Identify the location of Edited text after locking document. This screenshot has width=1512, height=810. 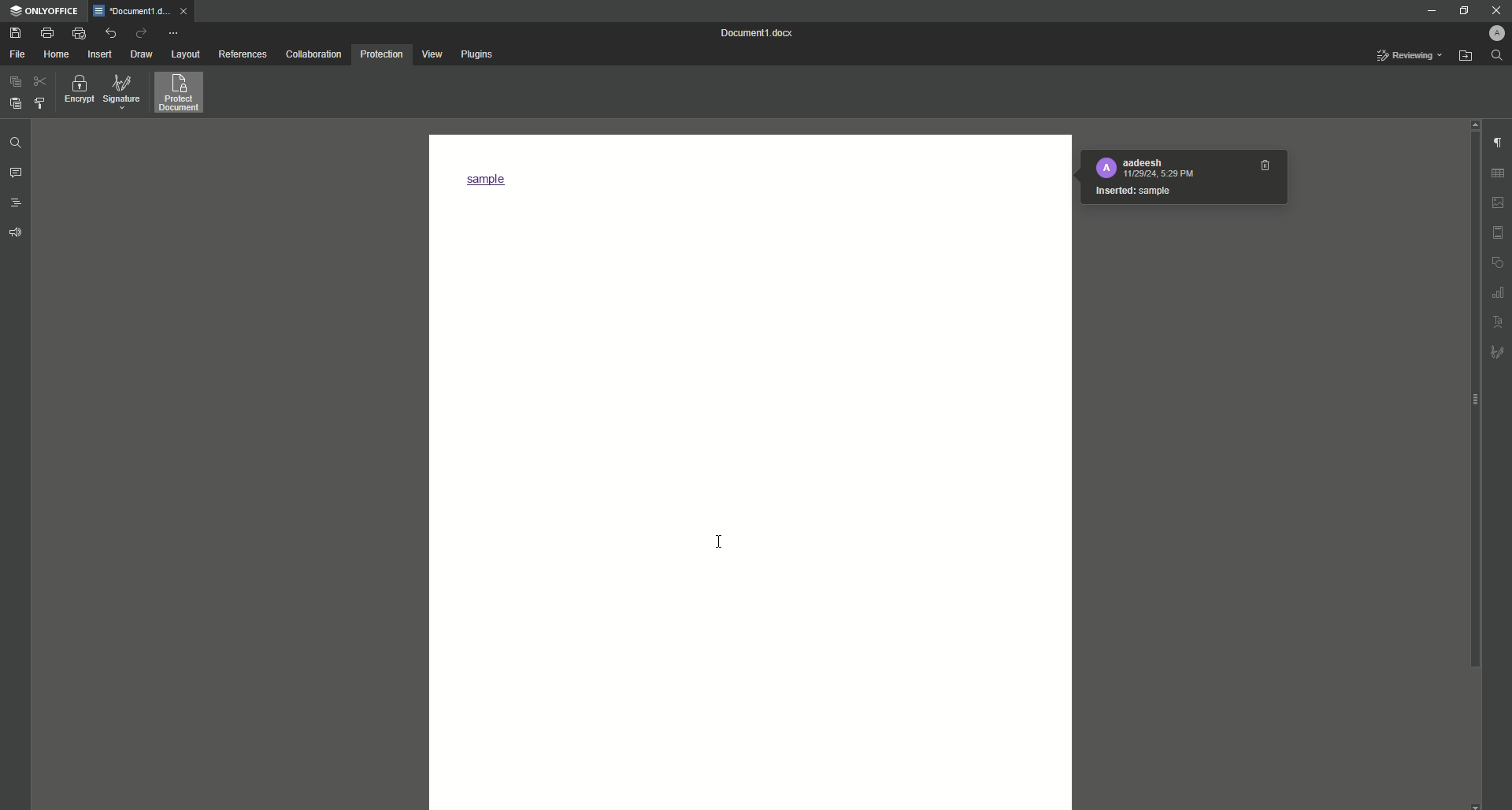
(492, 180).